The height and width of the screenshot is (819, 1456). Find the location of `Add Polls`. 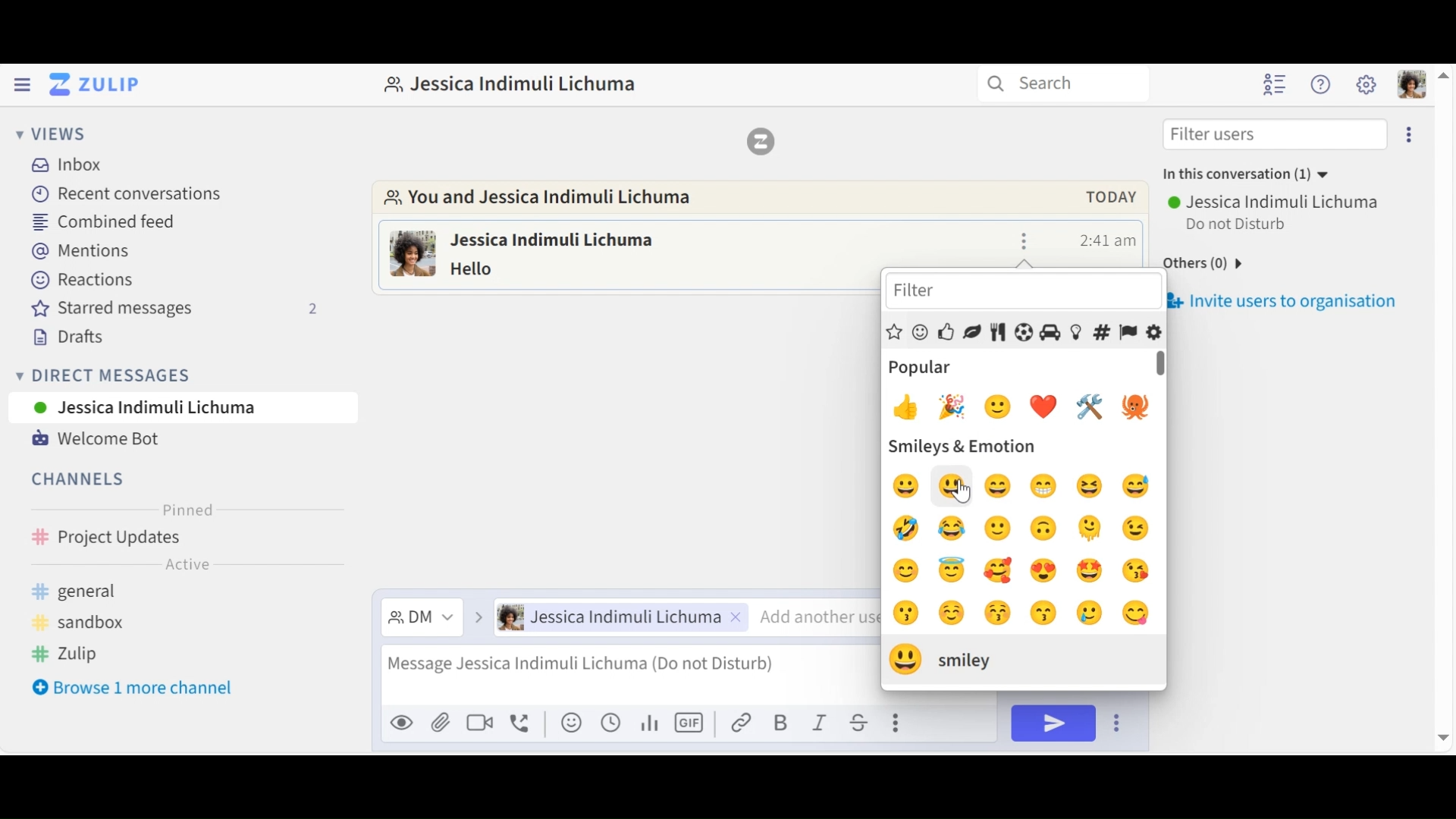

Add Polls is located at coordinates (648, 722).